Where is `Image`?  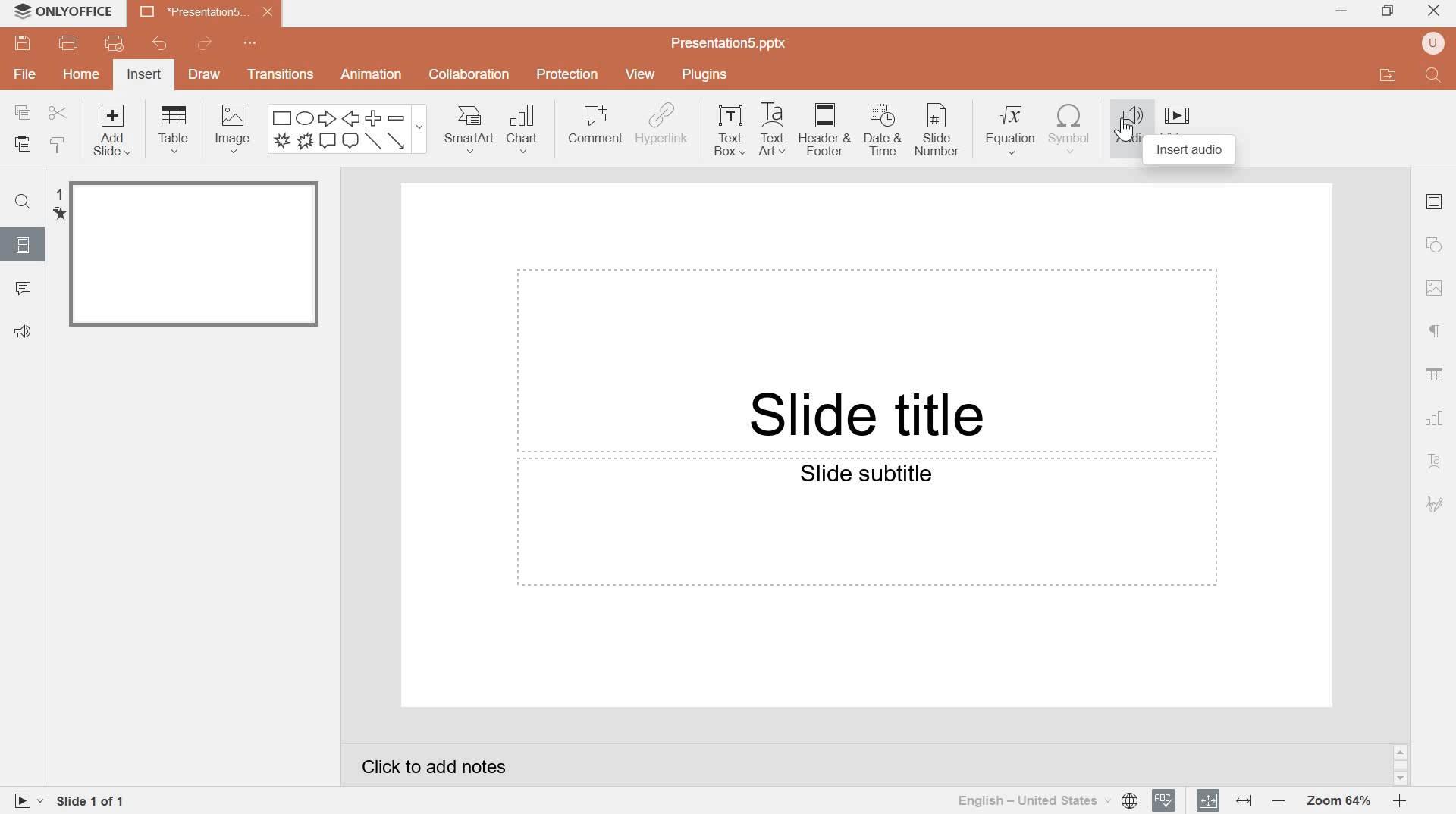 Image is located at coordinates (233, 130).